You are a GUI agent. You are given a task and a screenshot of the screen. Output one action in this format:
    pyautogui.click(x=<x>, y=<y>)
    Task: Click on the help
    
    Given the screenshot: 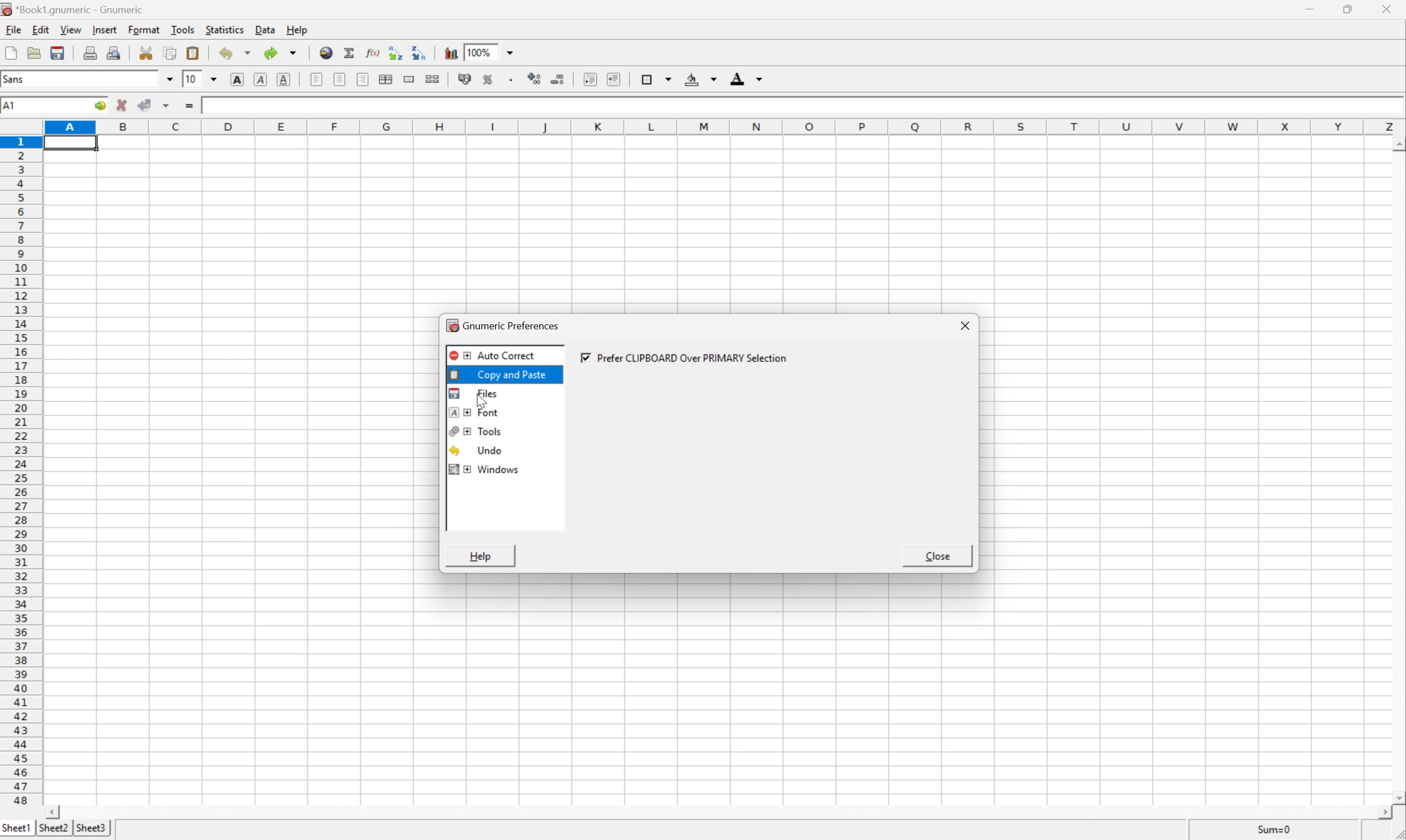 What is the action you would take?
    pyautogui.click(x=298, y=29)
    